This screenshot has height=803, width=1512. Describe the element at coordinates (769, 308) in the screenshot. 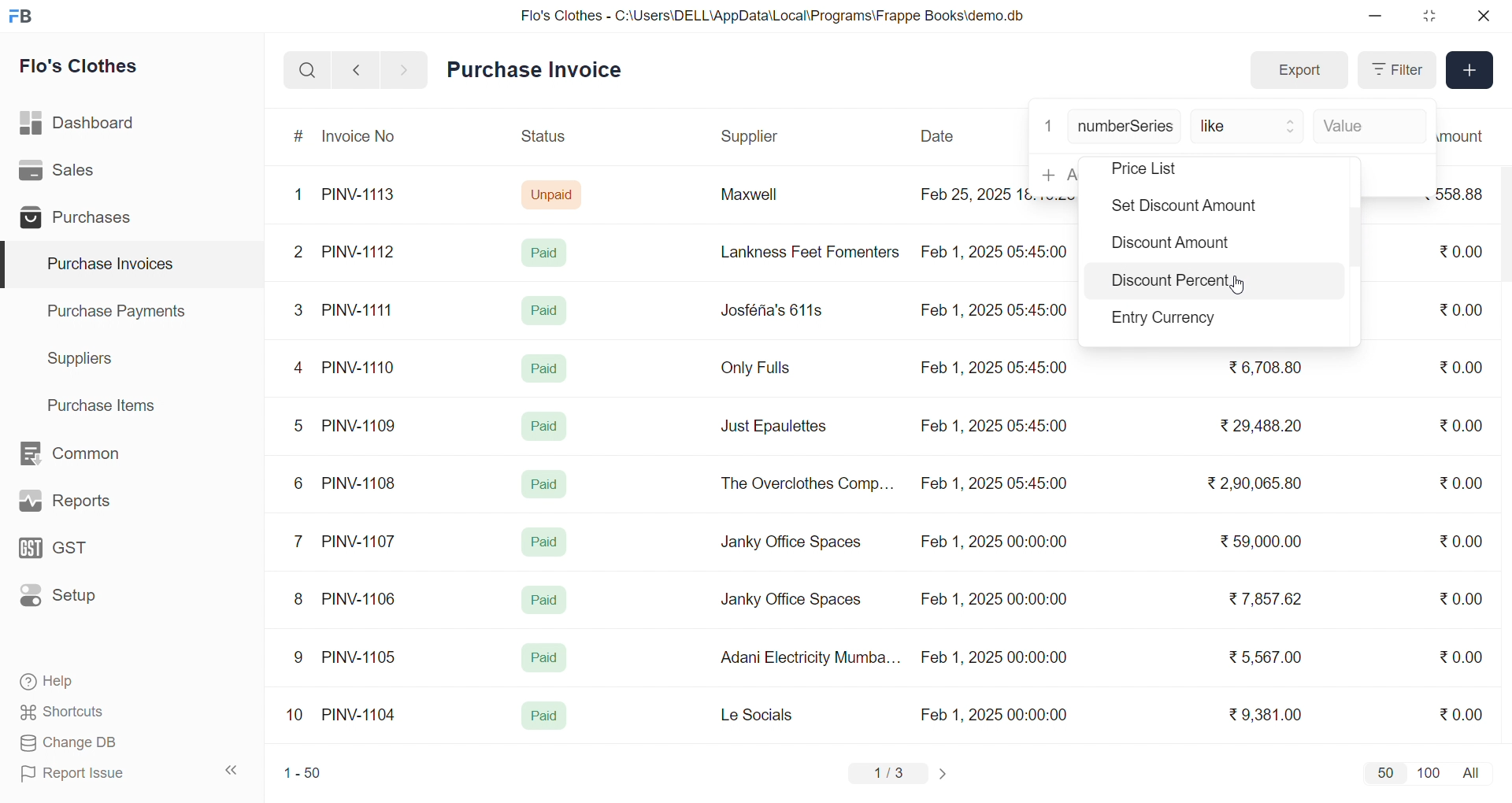

I see `Josféria's 611s` at that location.